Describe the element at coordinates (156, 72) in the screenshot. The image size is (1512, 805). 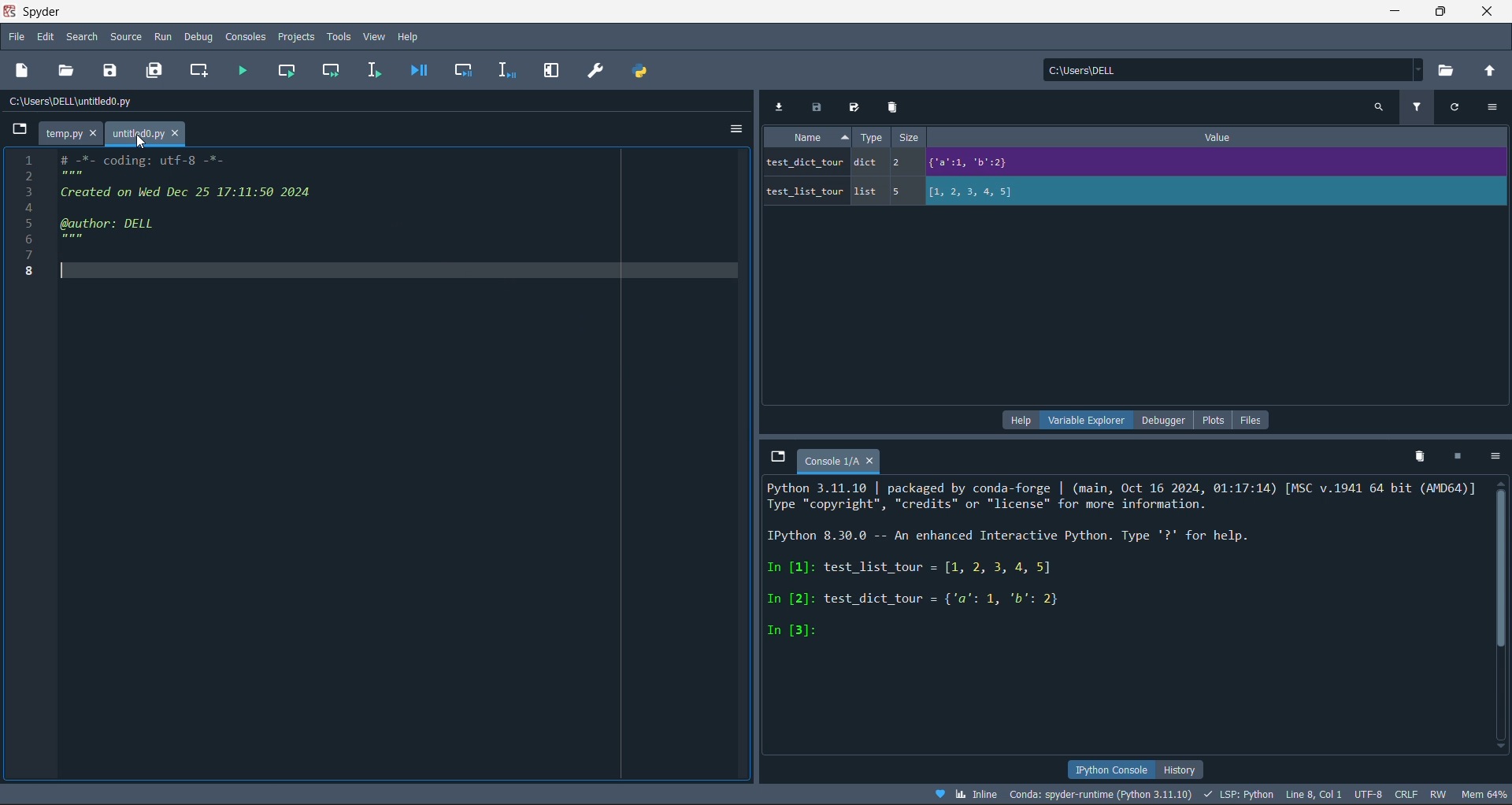
I see `save all ` at that location.